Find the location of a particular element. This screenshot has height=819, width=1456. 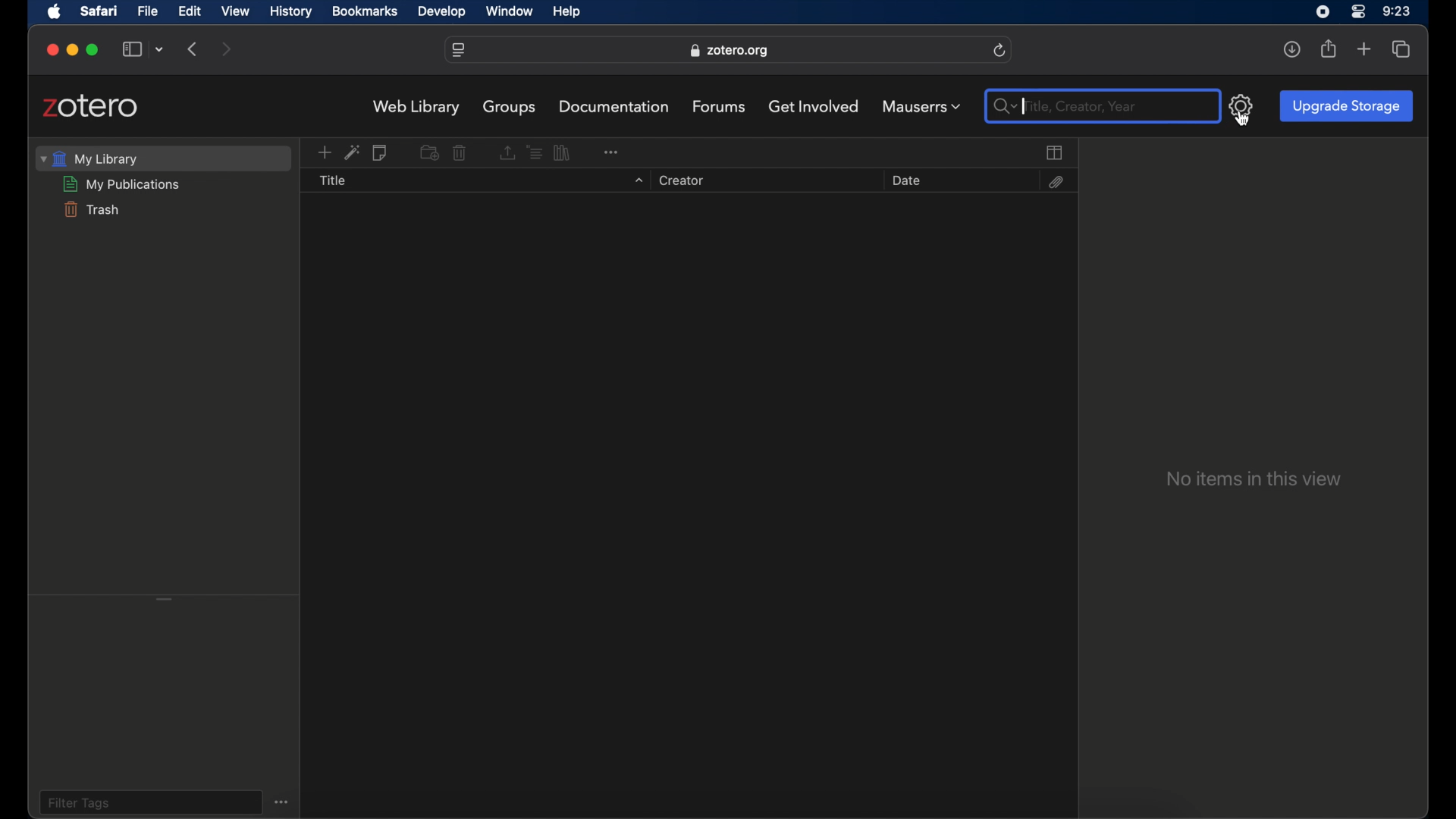

filter tags is located at coordinates (79, 802).